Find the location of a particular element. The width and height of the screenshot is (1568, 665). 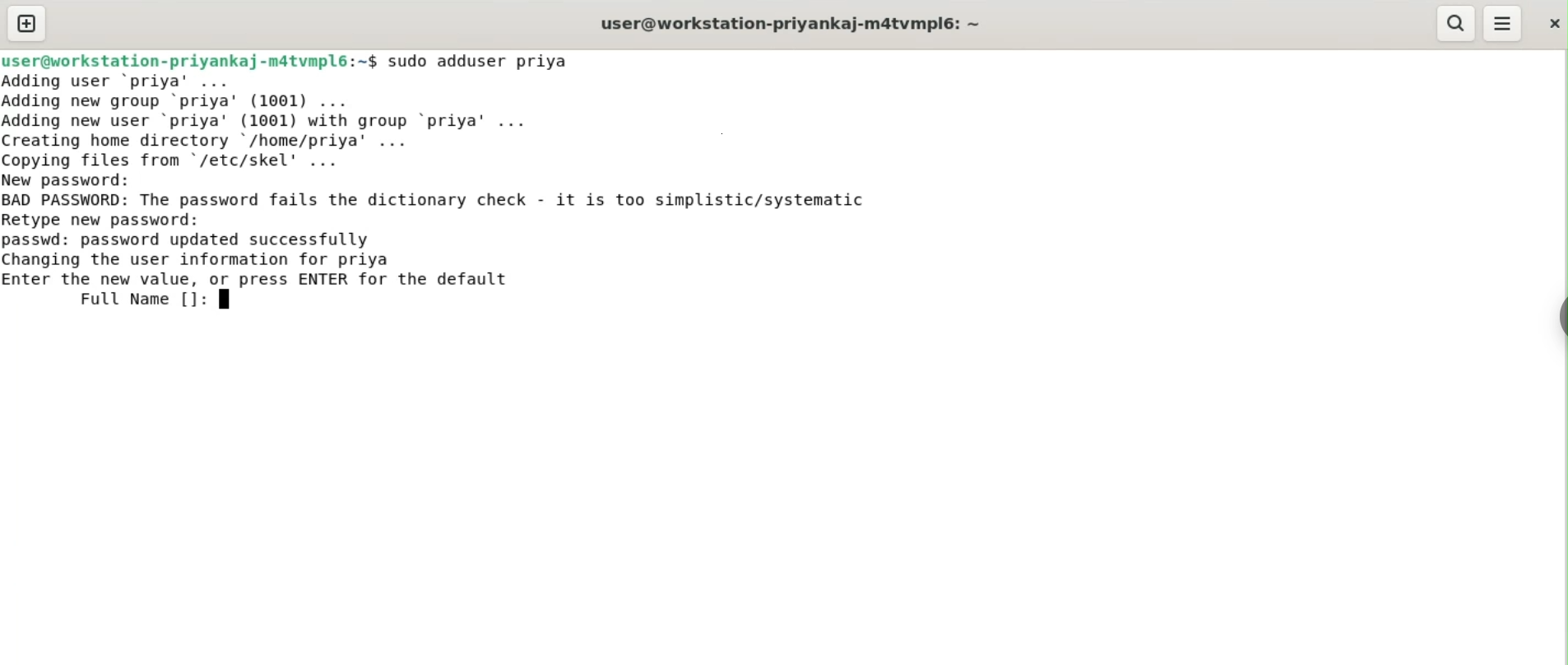

sudo adduser priya is located at coordinates (489, 61).